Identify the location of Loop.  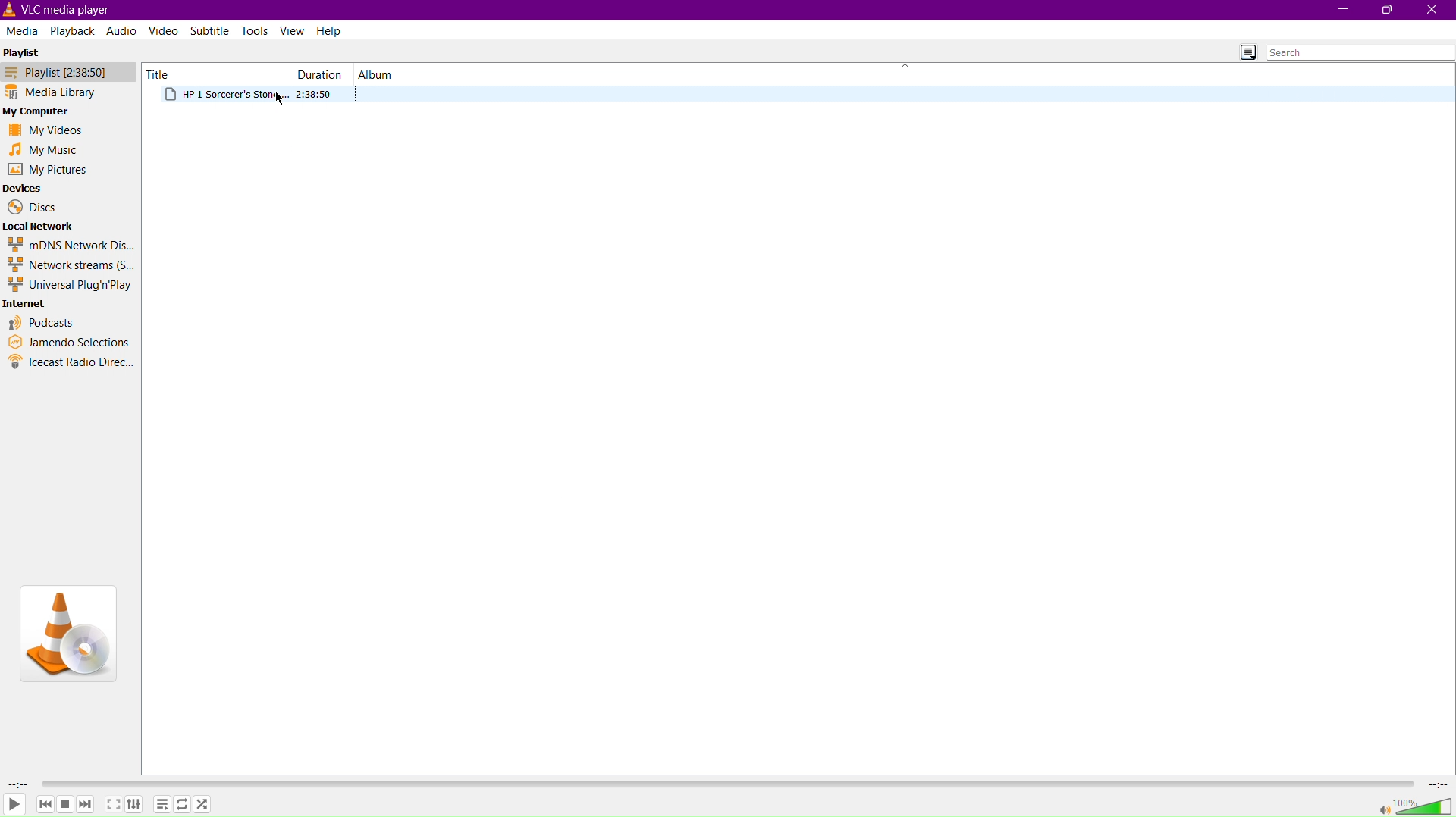
(184, 803).